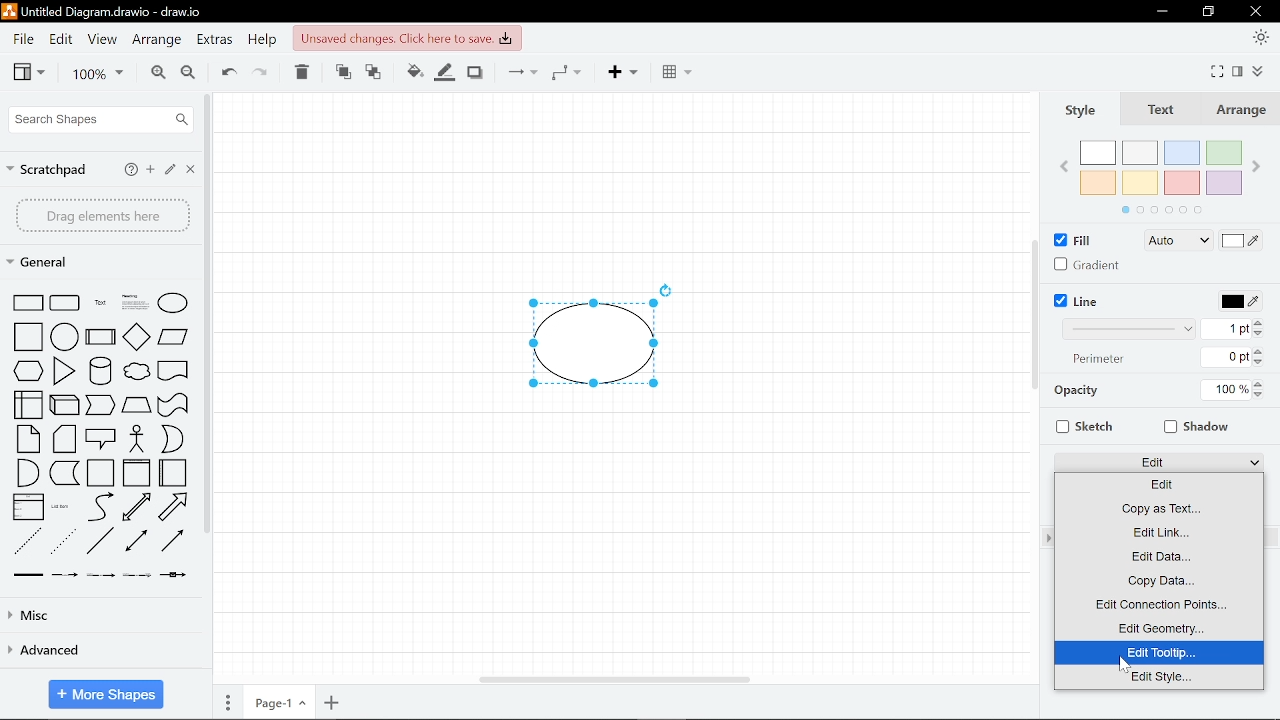  I want to click on Sketch, so click(1081, 426).